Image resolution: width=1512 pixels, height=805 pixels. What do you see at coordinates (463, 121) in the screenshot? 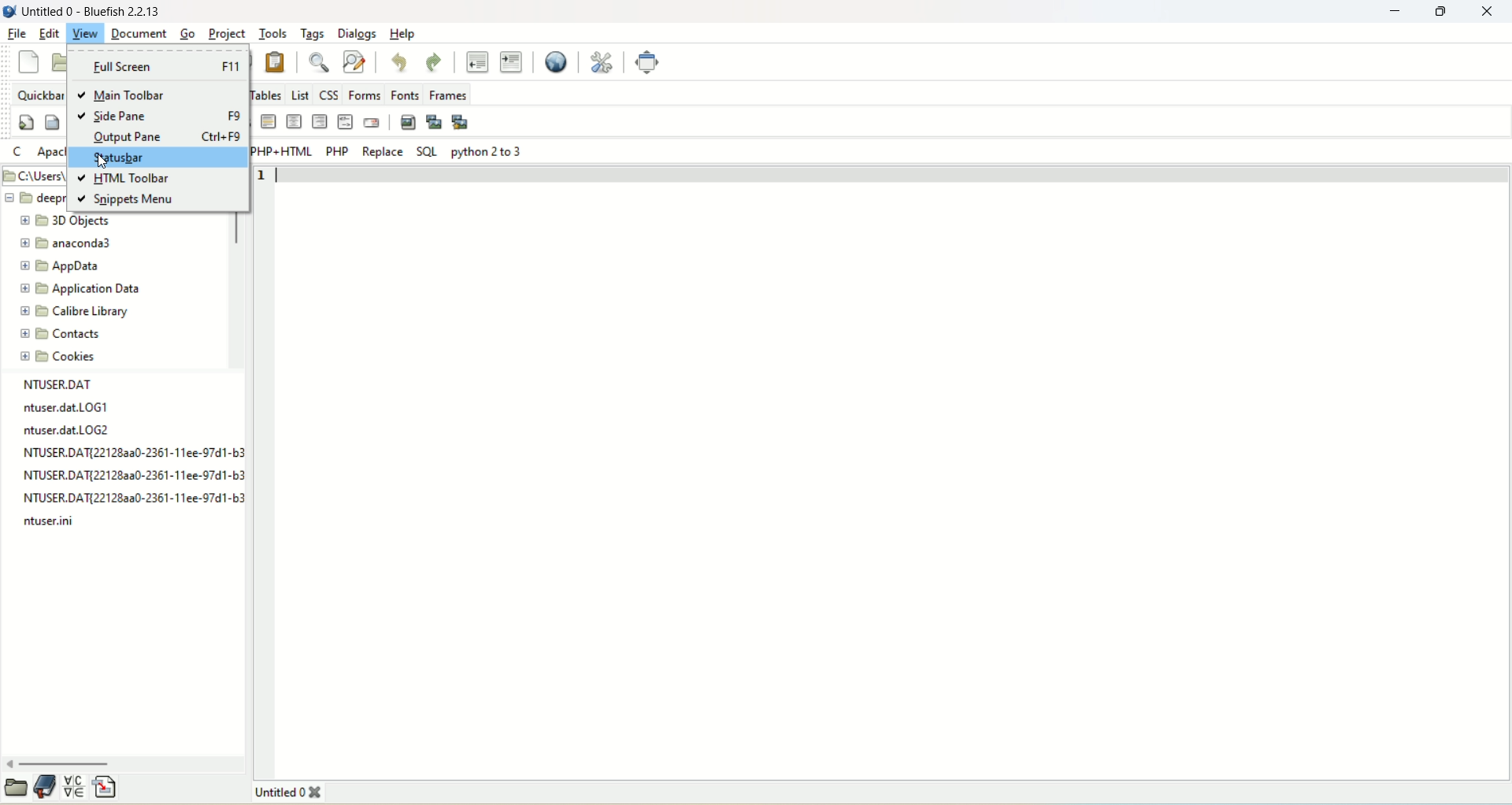
I see `multi-thumbnail` at bounding box center [463, 121].